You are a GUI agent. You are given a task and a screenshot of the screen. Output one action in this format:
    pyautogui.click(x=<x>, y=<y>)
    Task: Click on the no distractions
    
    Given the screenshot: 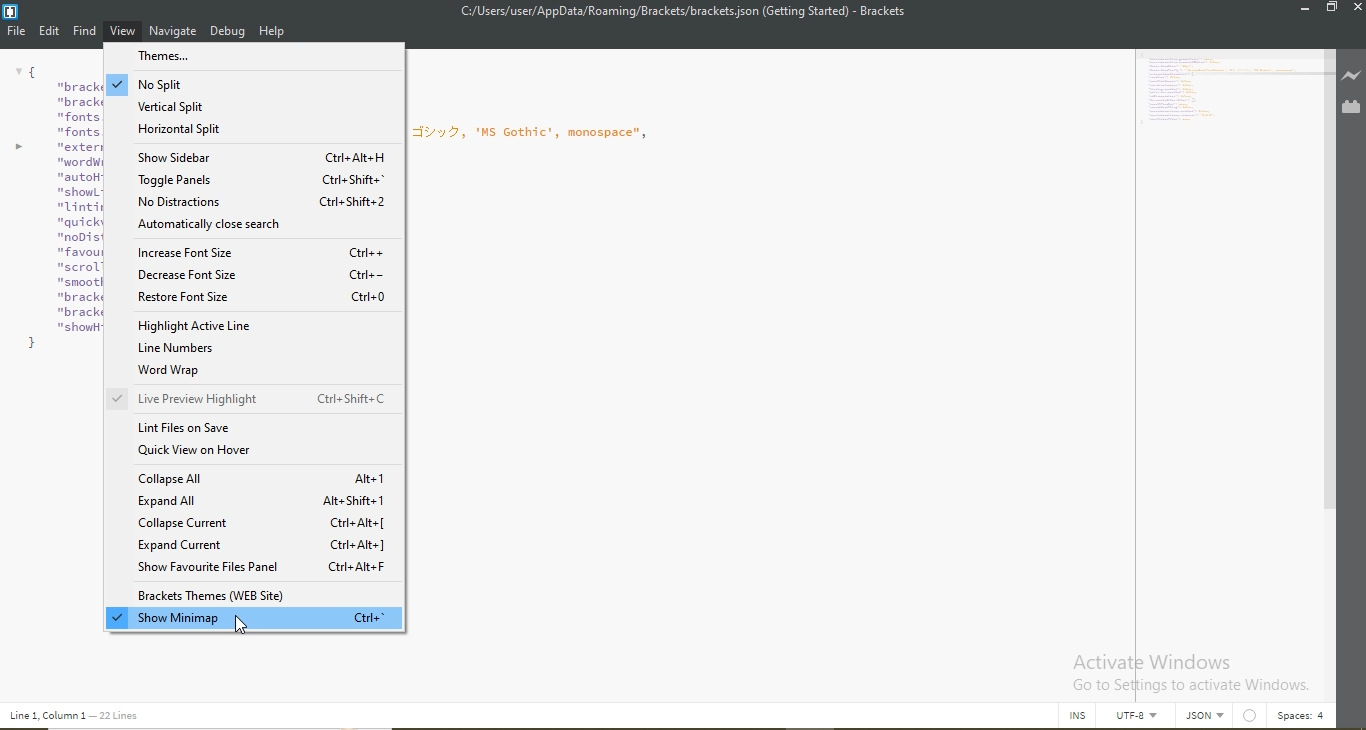 What is the action you would take?
    pyautogui.click(x=251, y=202)
    